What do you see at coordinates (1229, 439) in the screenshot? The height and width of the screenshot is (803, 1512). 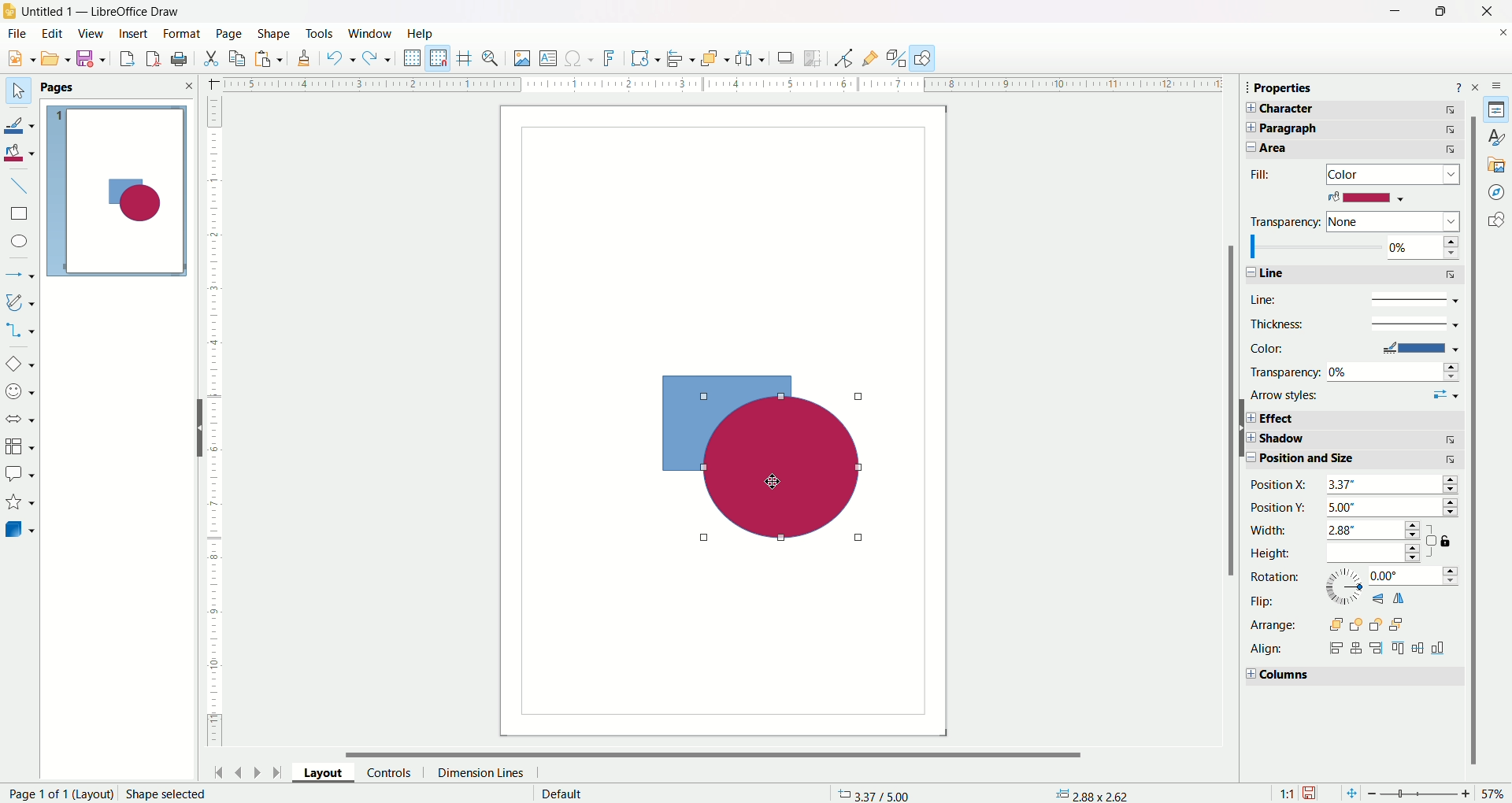 I see `vertical scroll bar` at bounding box center [1229, 439].